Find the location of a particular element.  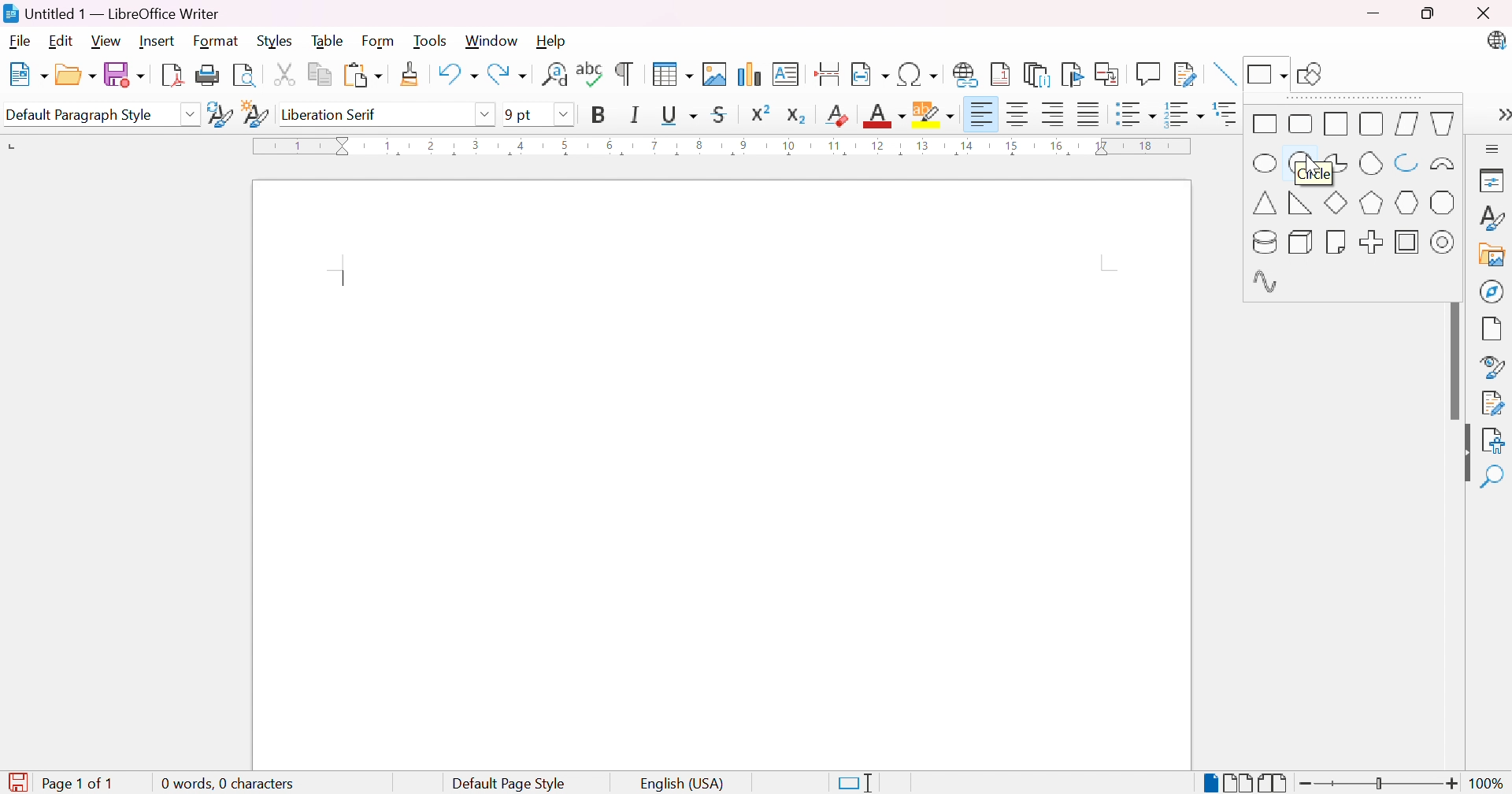

Trapezoid is located at coordinates (1445, 124).